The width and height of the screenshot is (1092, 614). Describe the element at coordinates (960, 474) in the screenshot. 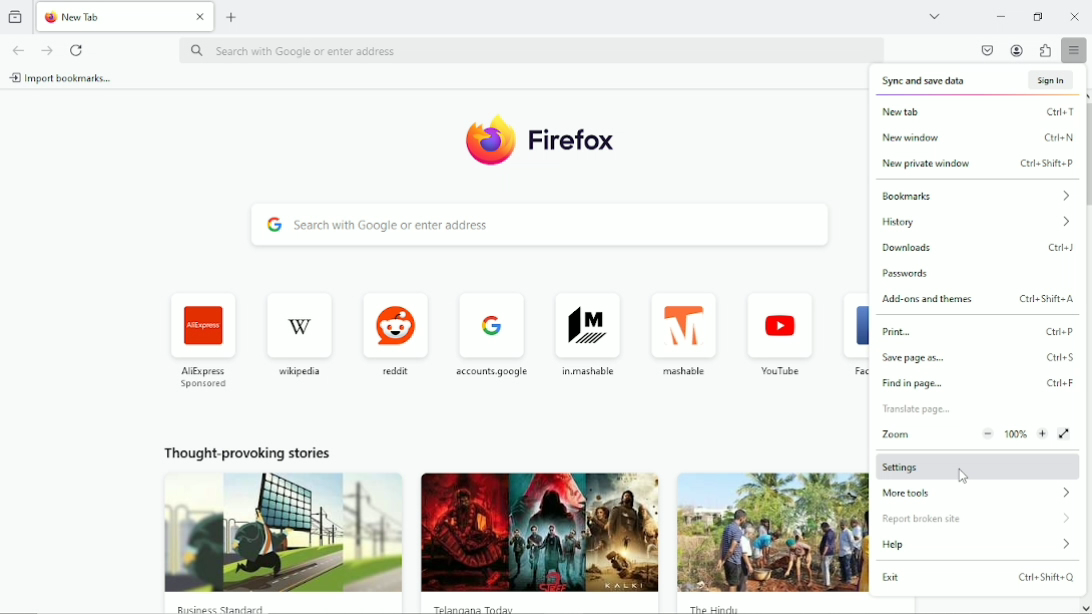

I see `cursor` at that location.